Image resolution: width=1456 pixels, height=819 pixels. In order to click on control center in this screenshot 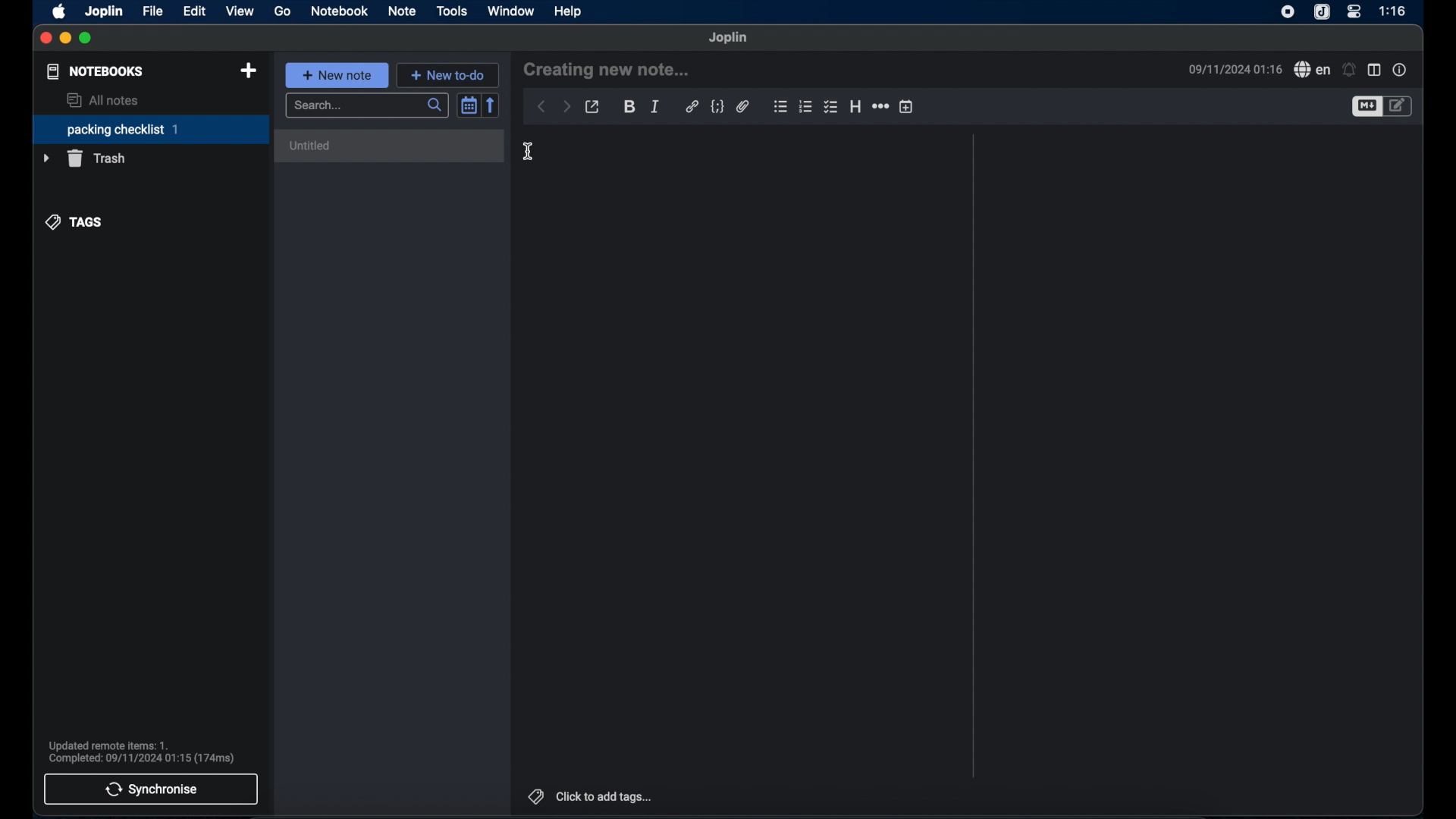, I will do `click(1355, 11)`.